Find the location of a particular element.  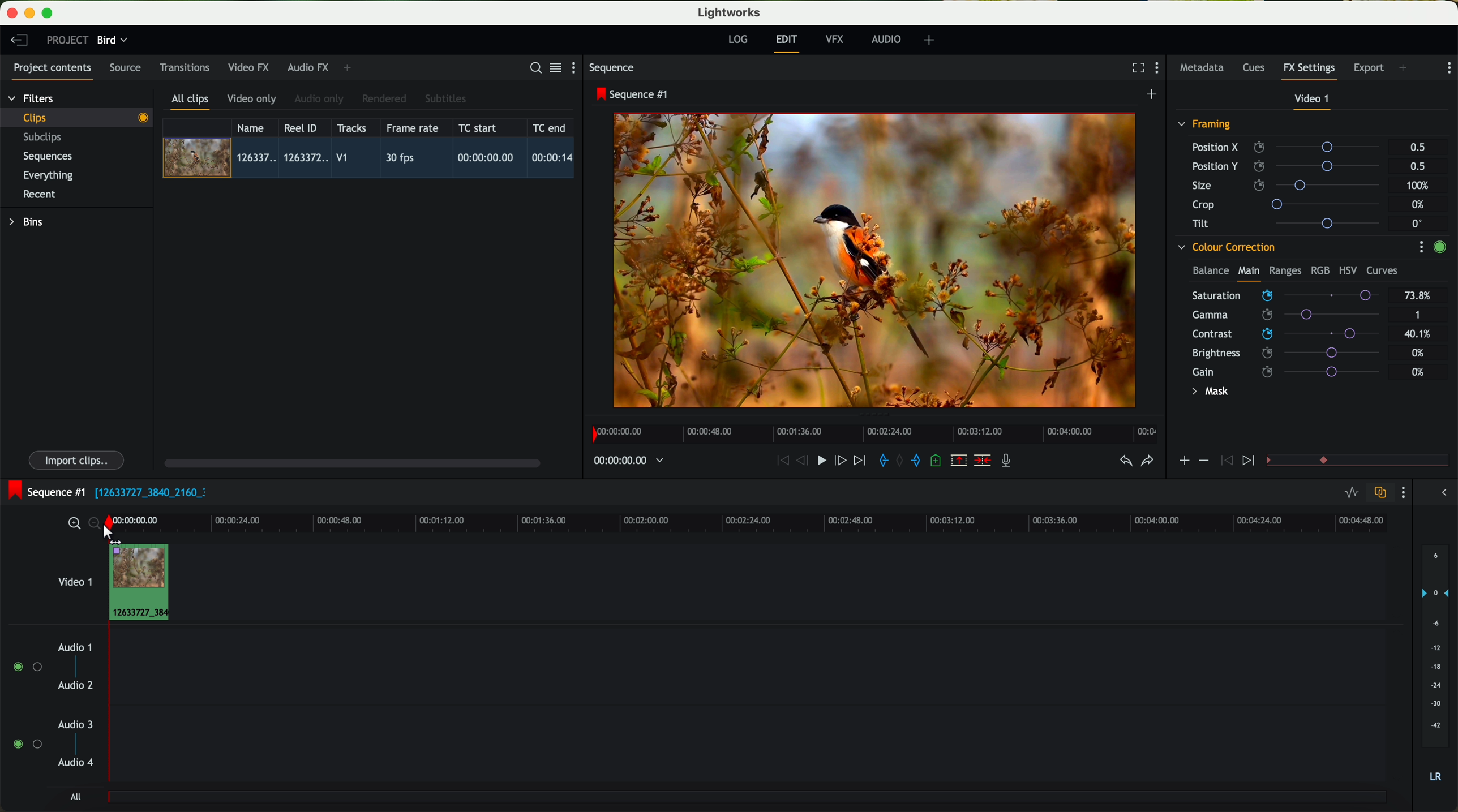

Reel ID is located at coordinates (303, 127).